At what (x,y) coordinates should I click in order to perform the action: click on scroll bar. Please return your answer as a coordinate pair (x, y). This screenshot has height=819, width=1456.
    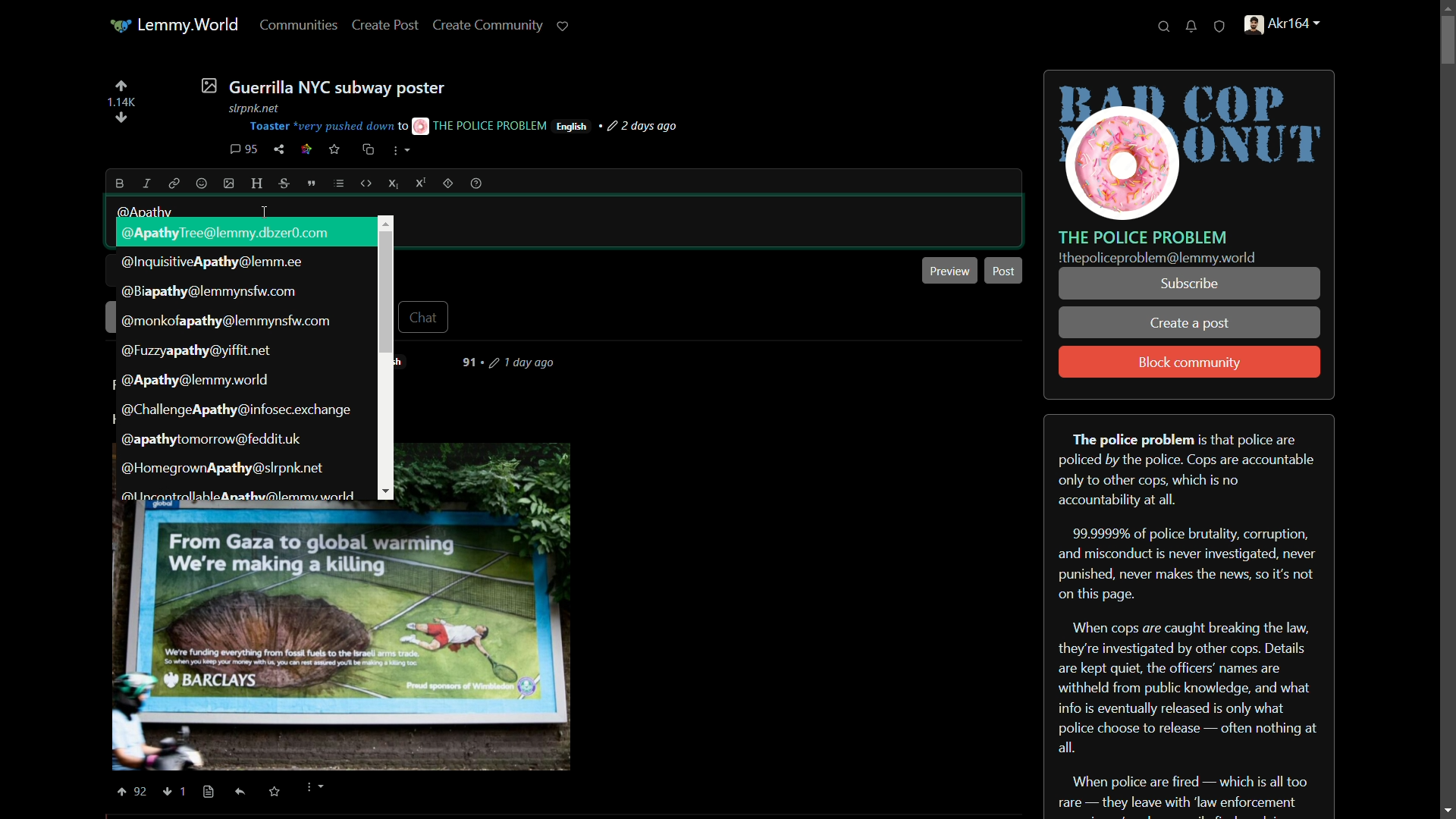
    Looking at the image, I should click on (1445, 411).